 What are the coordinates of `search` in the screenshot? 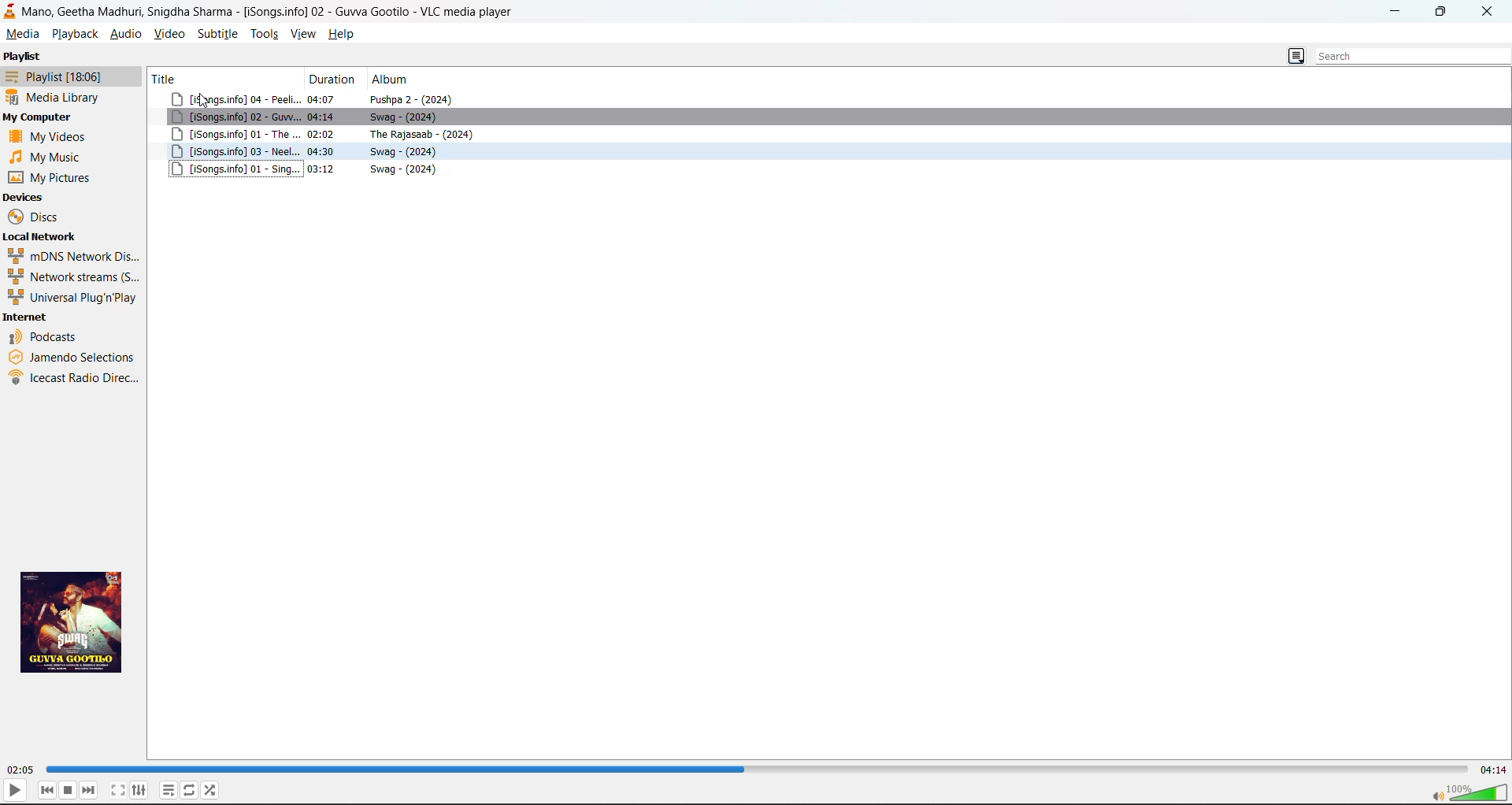 It's located at (1406, 57).